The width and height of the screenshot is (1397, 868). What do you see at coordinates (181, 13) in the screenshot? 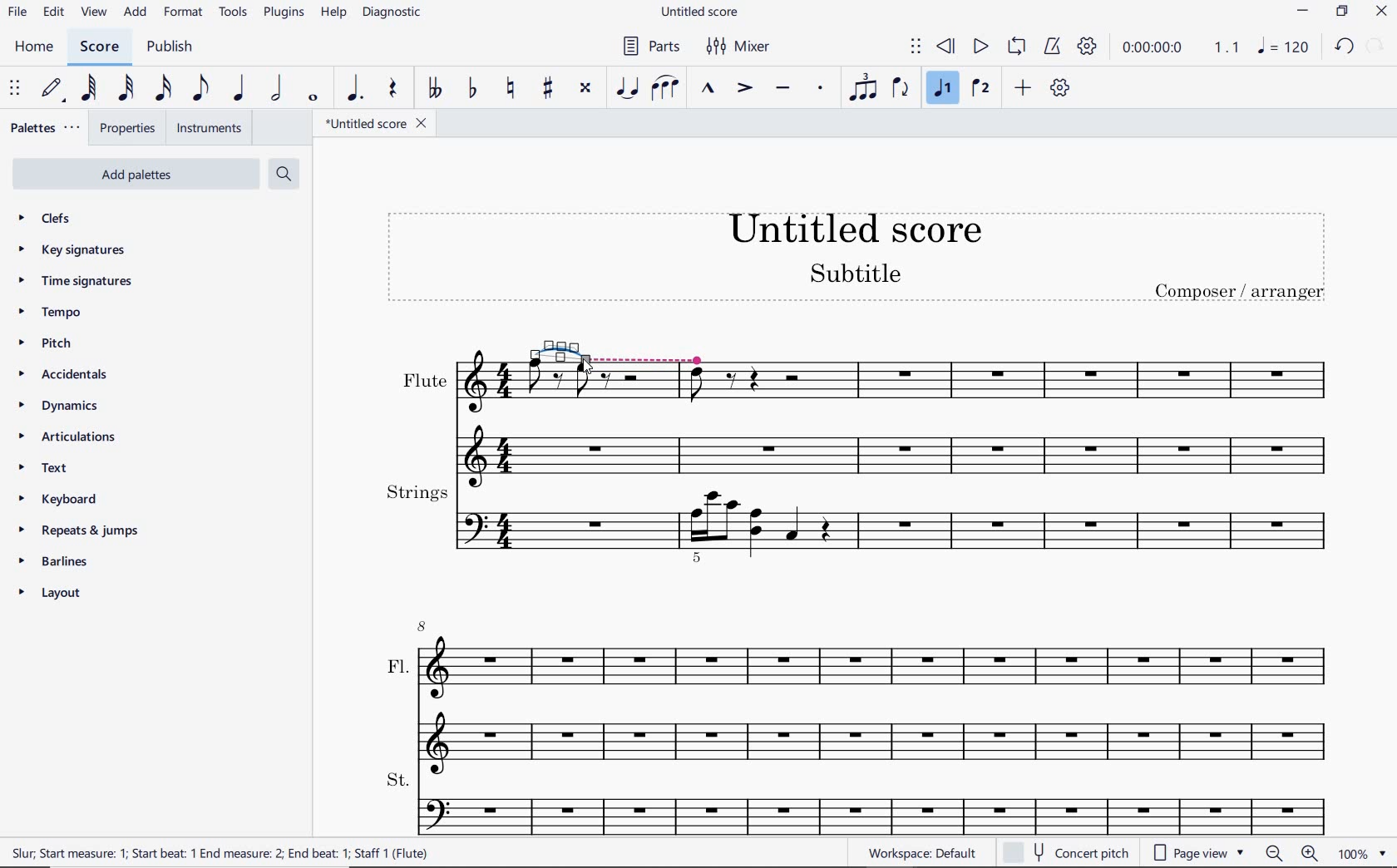
I see `format` at bounding box center [181, 13].